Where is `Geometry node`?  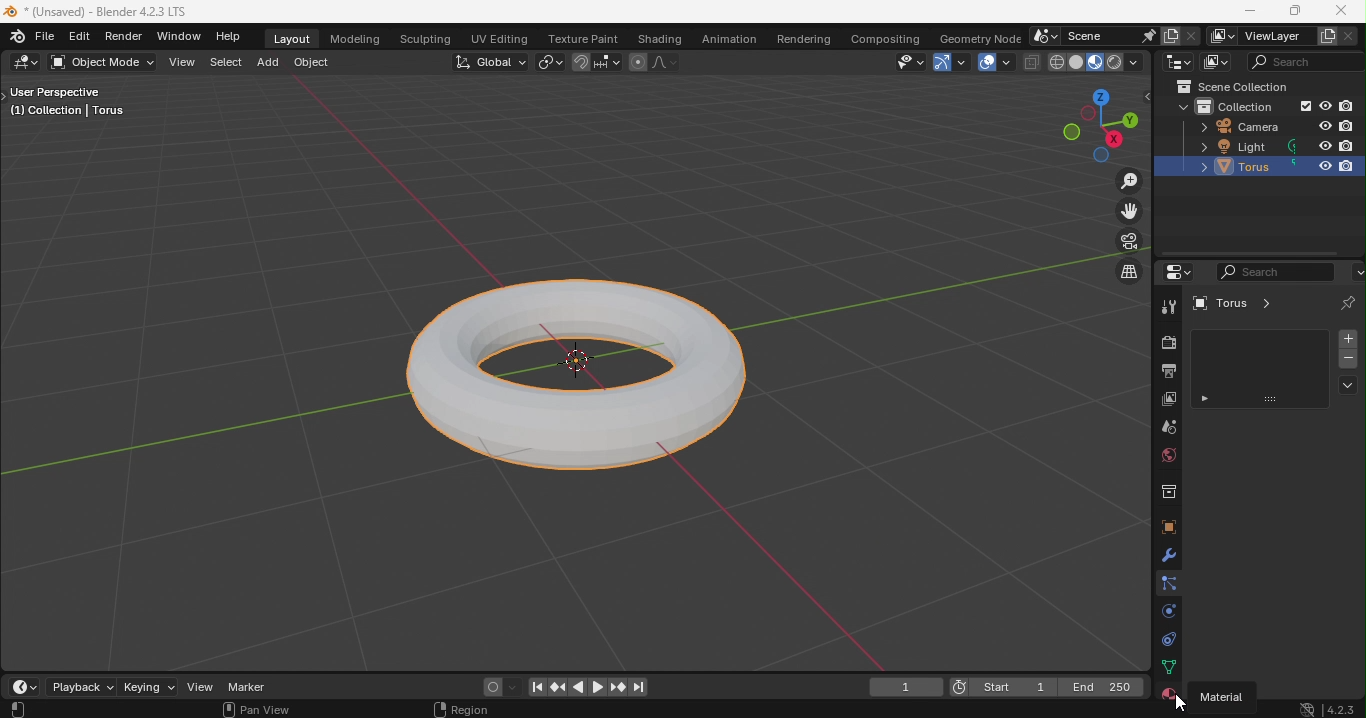 Geometry node is located at coordinates (979, 36).